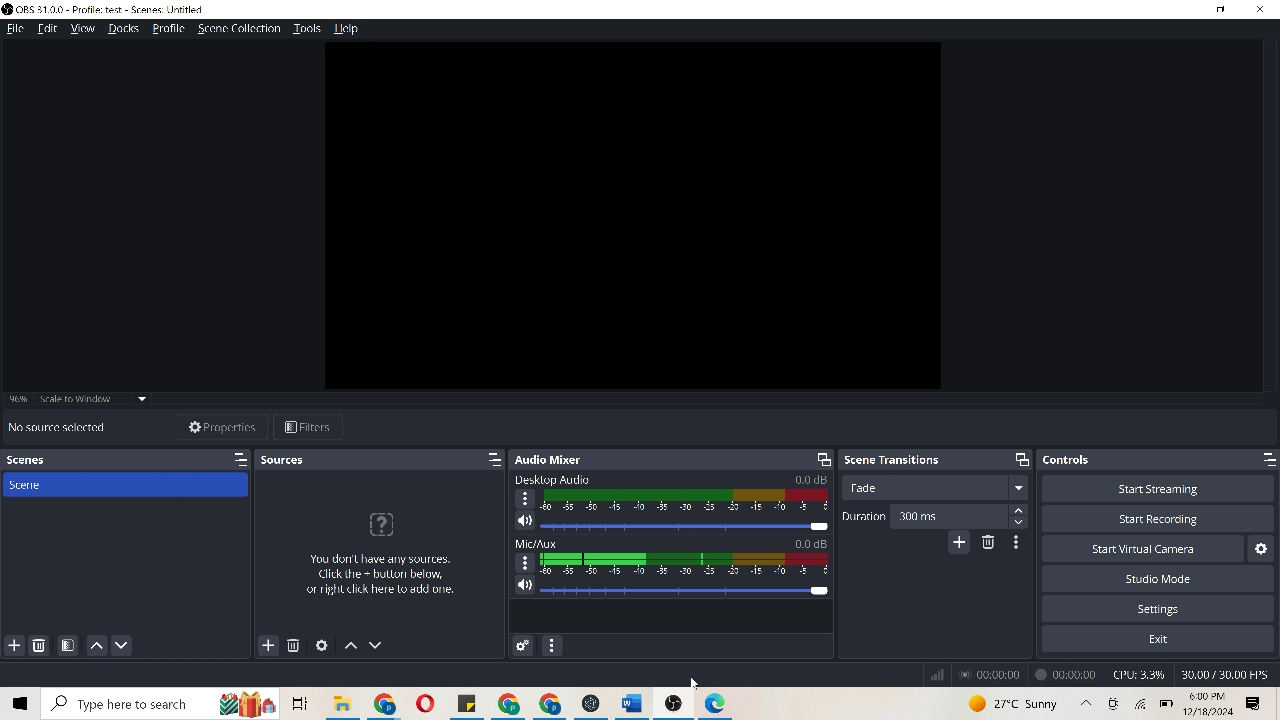  I want to click on exit, so click(1156, 636).